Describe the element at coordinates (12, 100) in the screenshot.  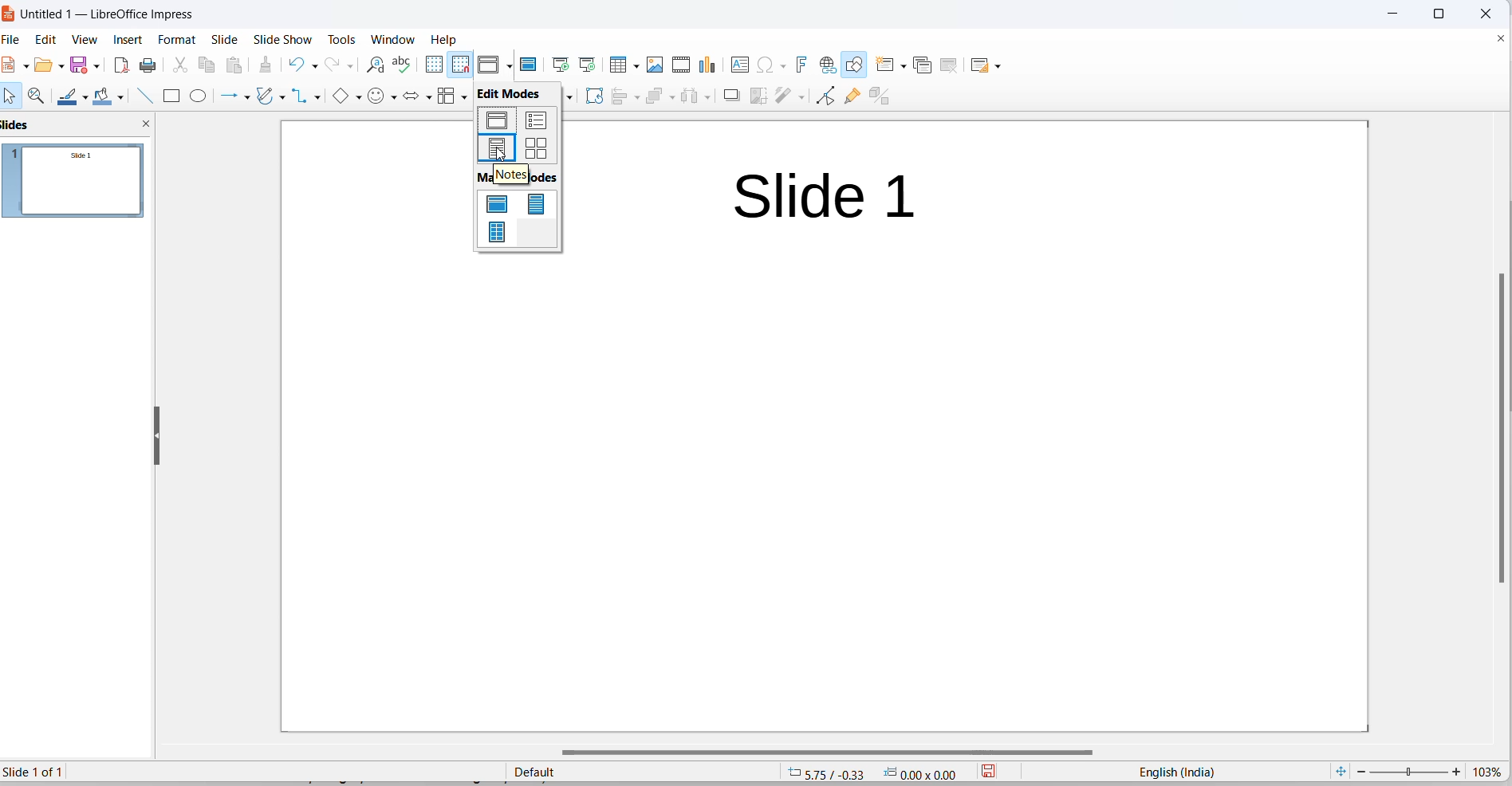
I see `select` at that location.